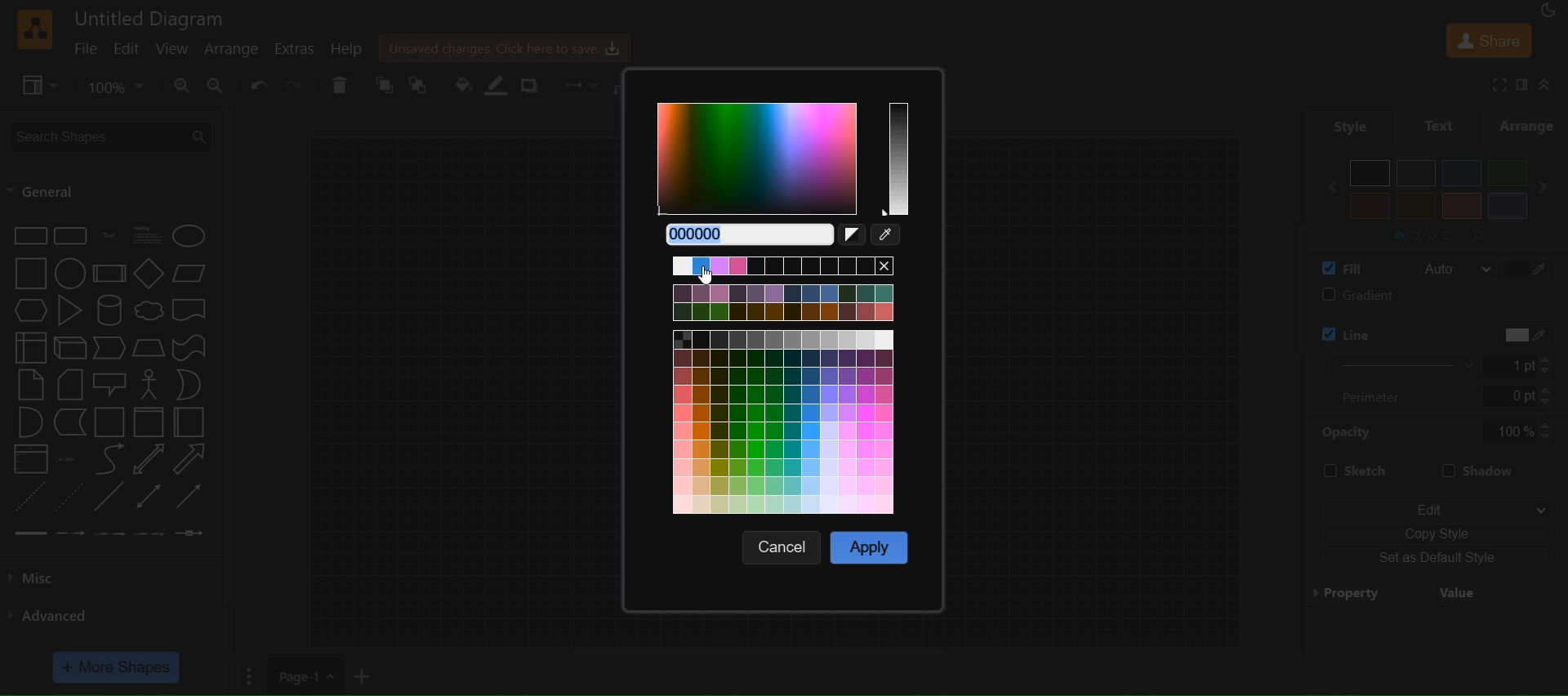 The width and height of the screenshot is (1568, 696). I want to click on to front , so click(421, 84).